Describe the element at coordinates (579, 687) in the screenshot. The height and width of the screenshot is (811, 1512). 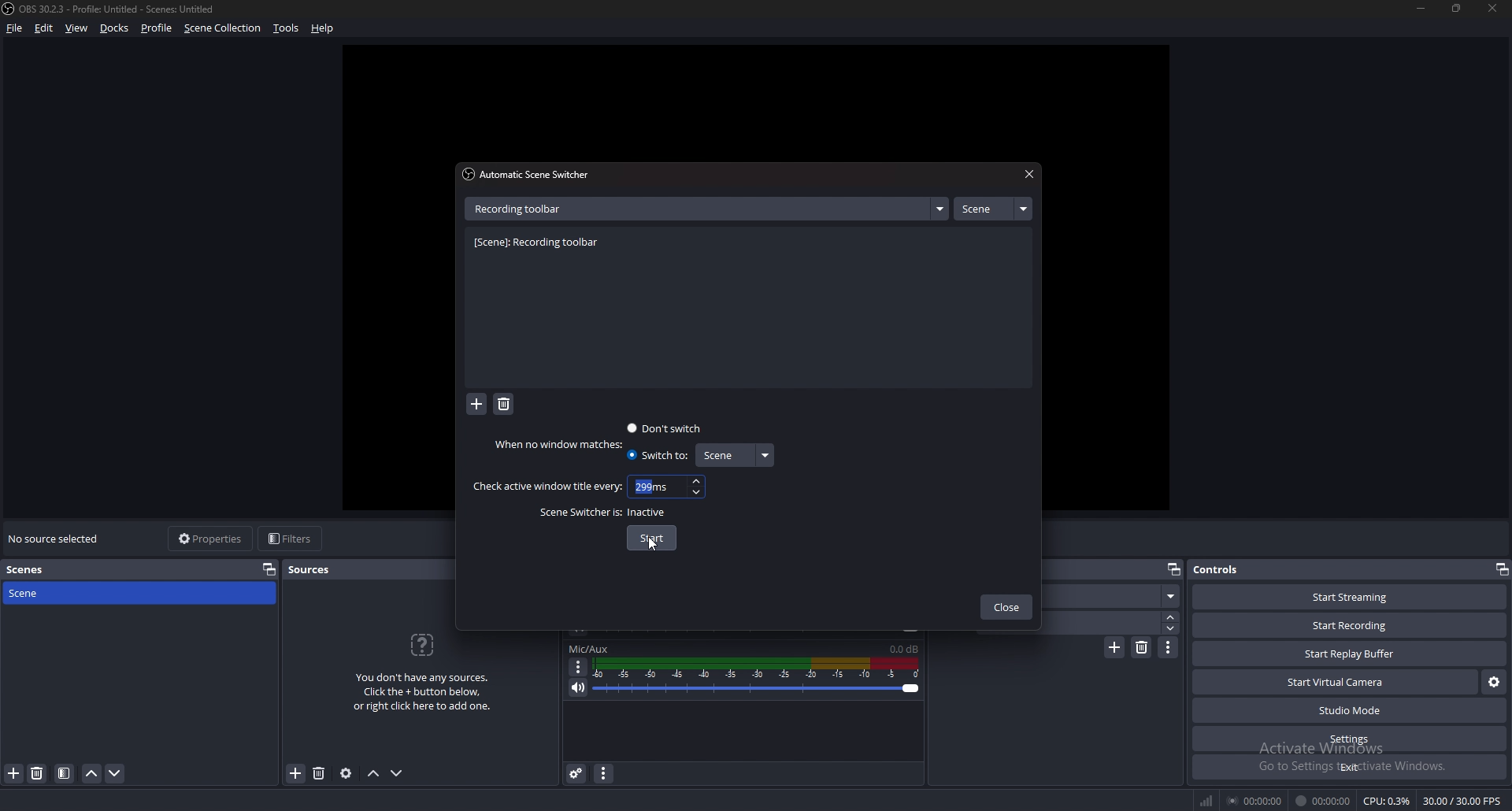
I see `mute` at that location.